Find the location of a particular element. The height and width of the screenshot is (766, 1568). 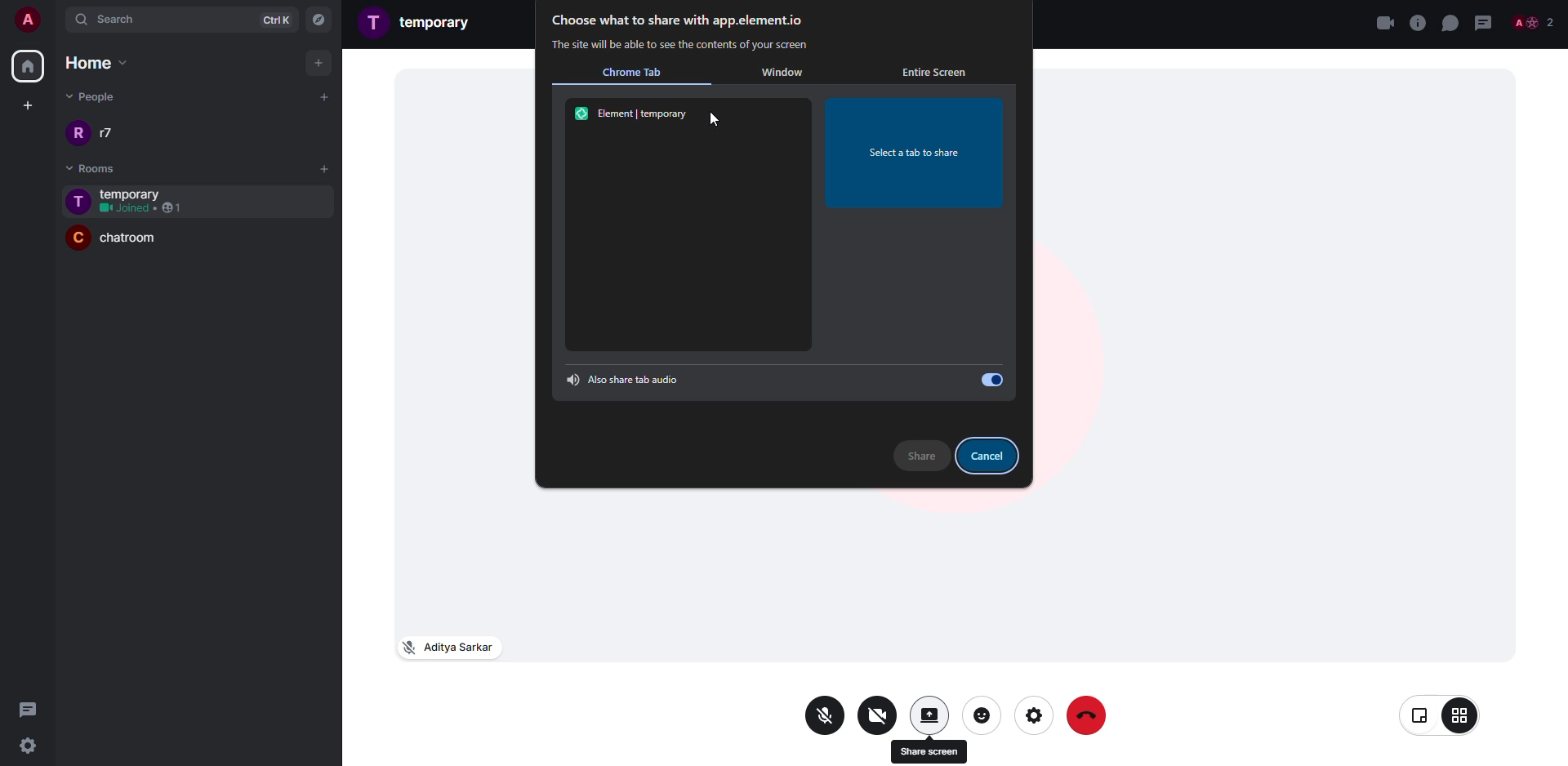

chat is located at coordinates (1450, 22).